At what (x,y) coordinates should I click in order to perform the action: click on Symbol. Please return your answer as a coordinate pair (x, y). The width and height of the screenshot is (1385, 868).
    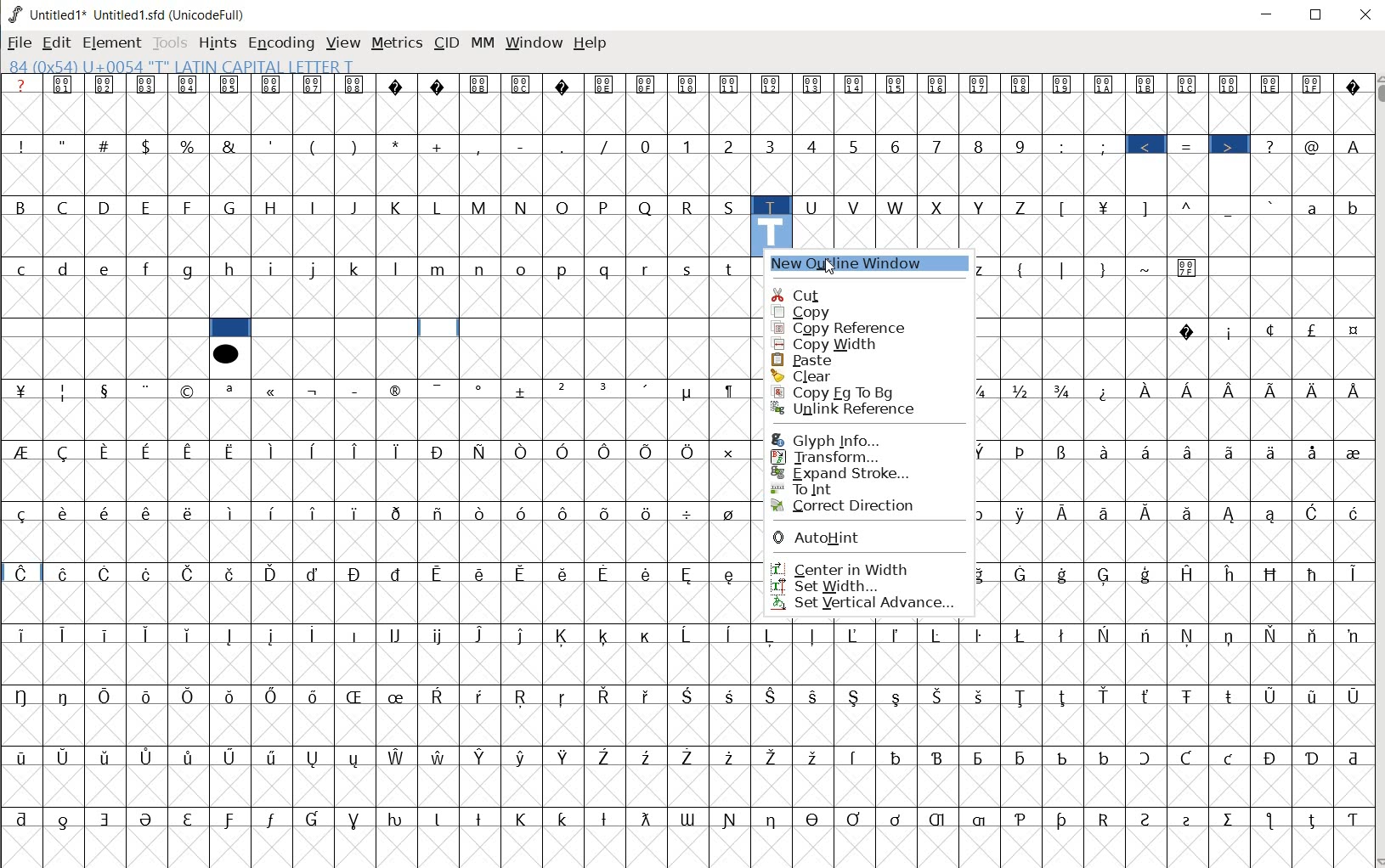
    Looking at the image, I should click on (316, 633).